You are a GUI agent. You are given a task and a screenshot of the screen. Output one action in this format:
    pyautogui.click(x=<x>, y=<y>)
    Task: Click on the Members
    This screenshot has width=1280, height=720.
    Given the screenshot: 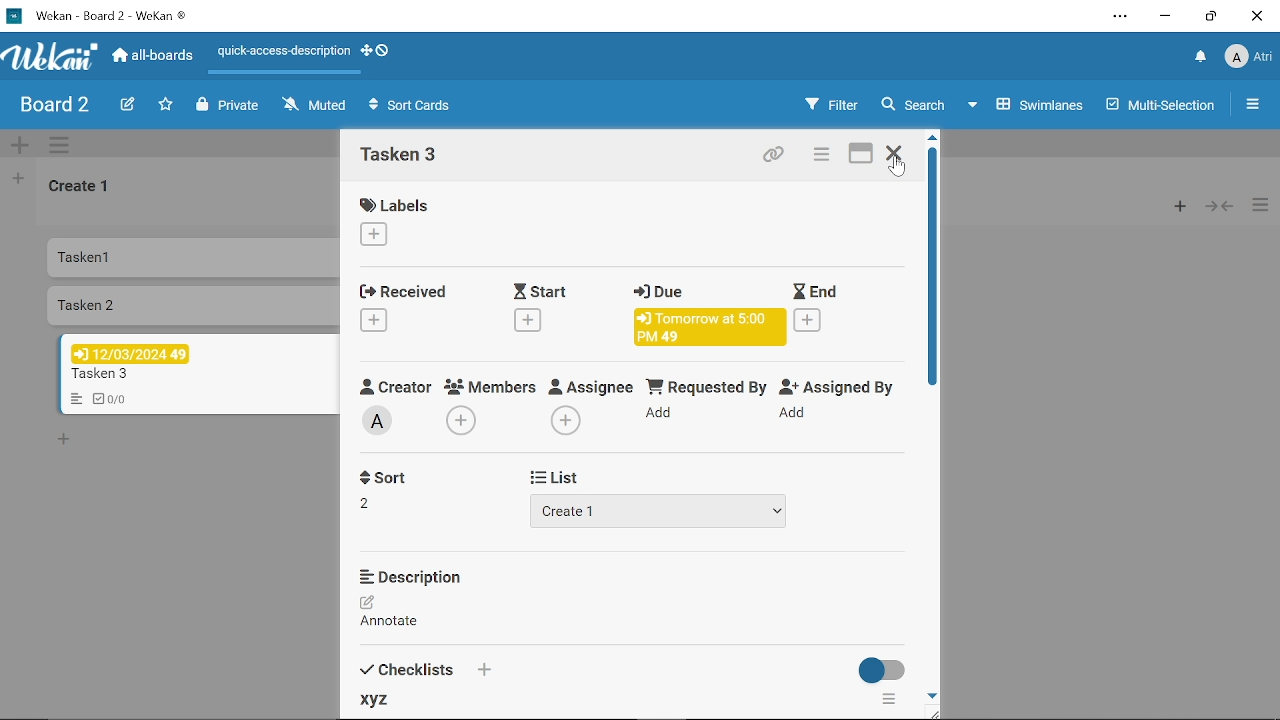 What is the action you would take?
    pyautogui.click(x=492, y=384)
    